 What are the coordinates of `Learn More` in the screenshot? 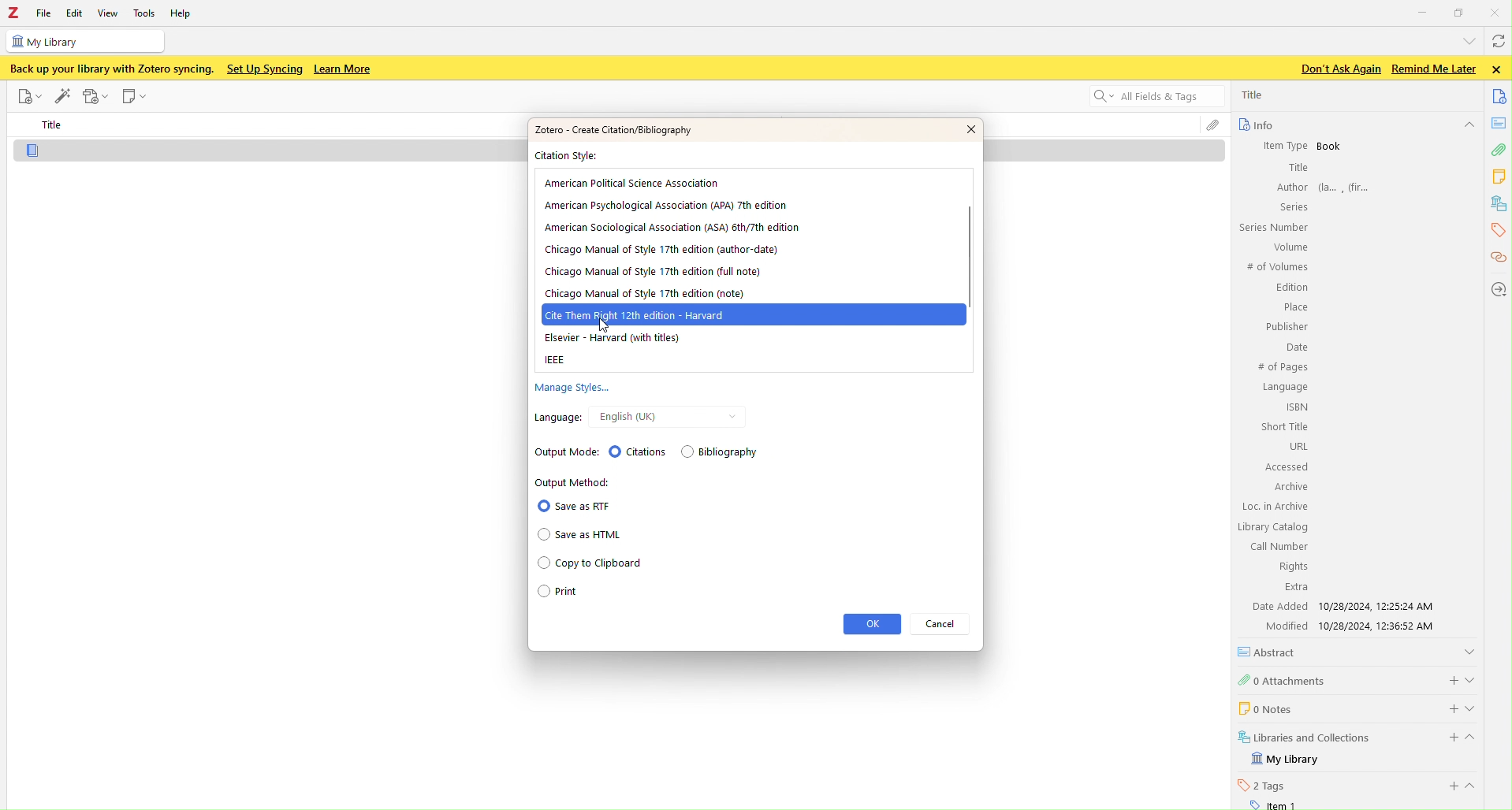 It's located at (344, 69).